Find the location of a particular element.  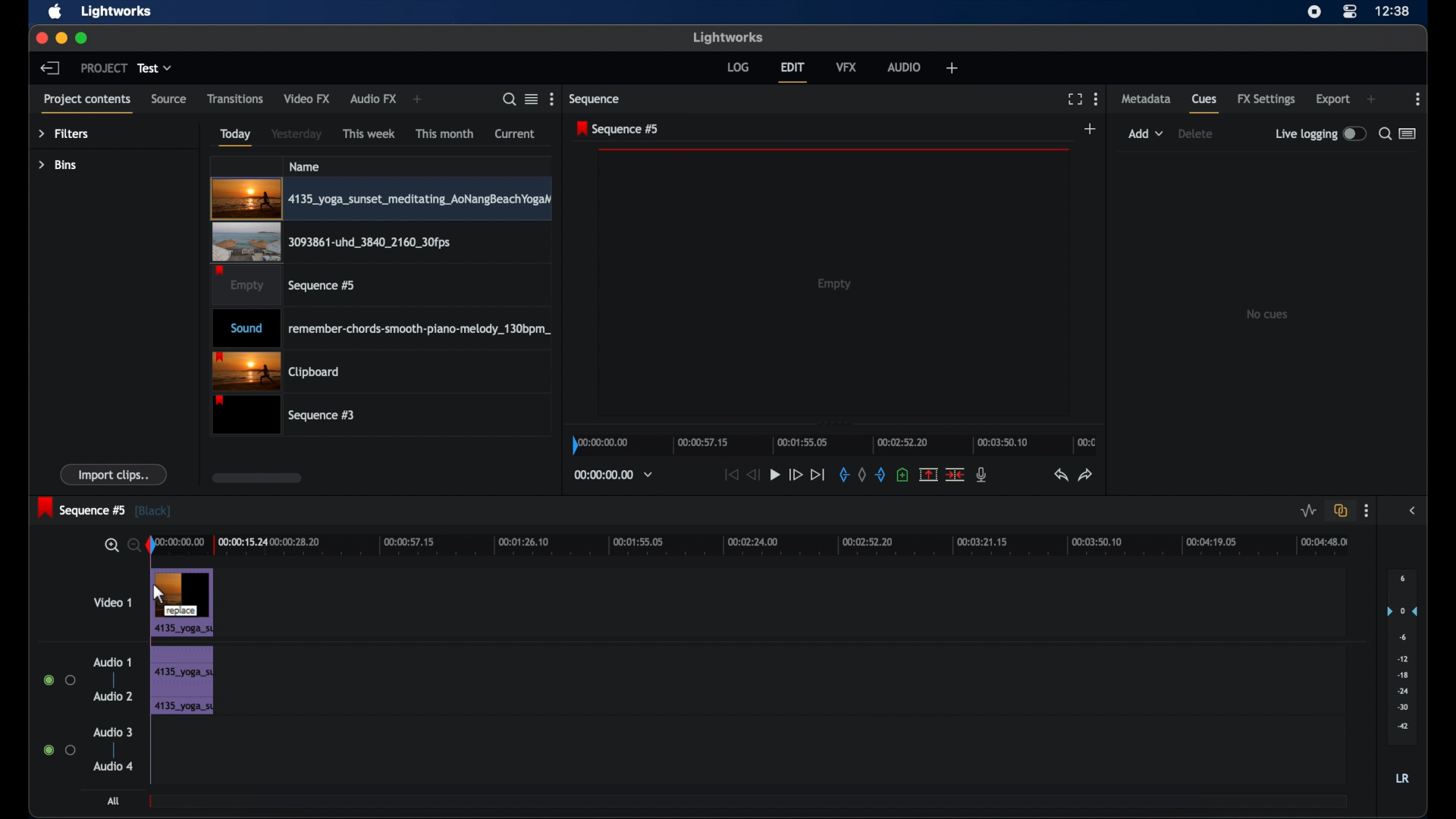

add is located at coordinates (952, 69).